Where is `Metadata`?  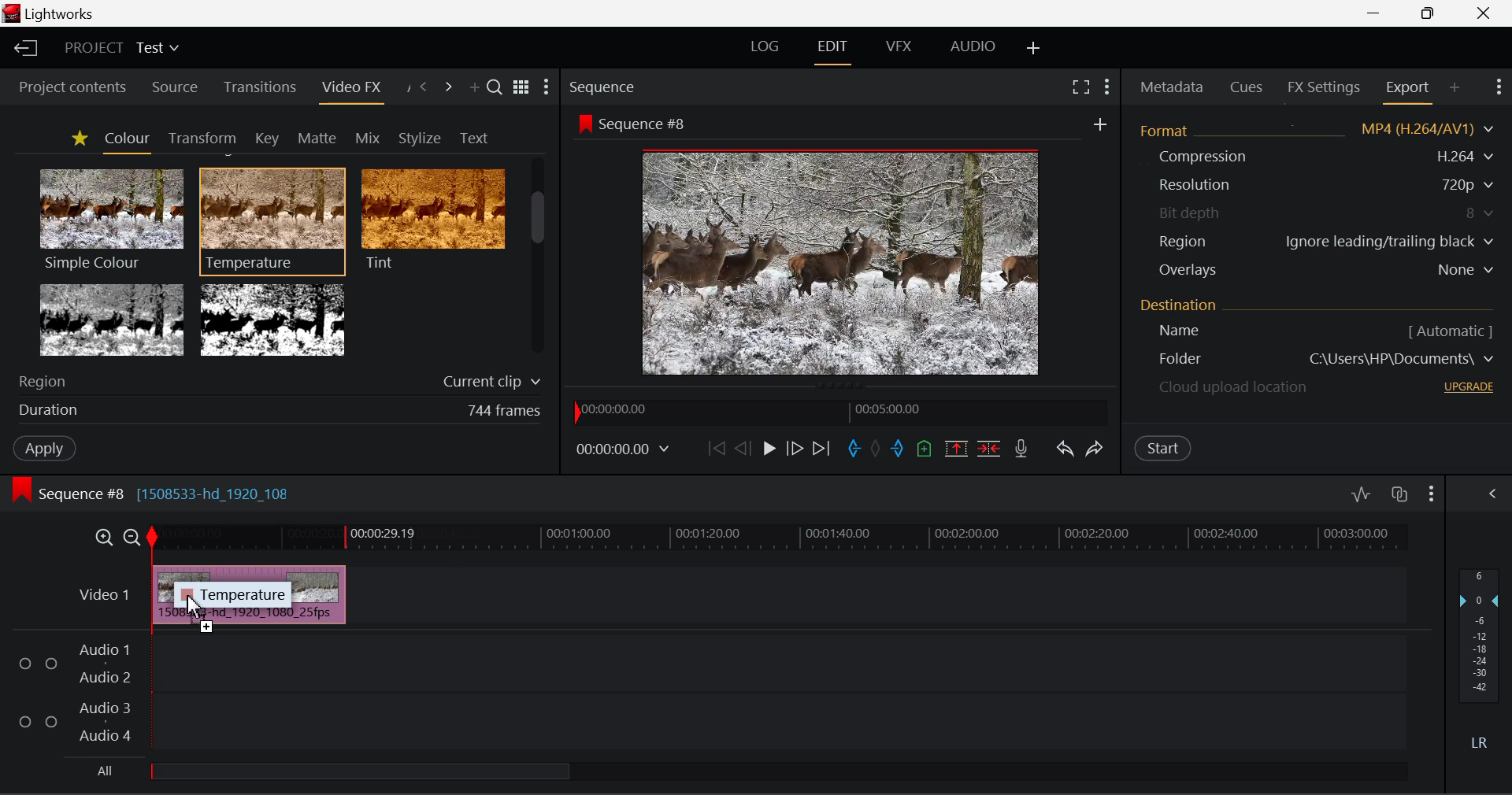
Metadata is located at coordinates (1170, 87).